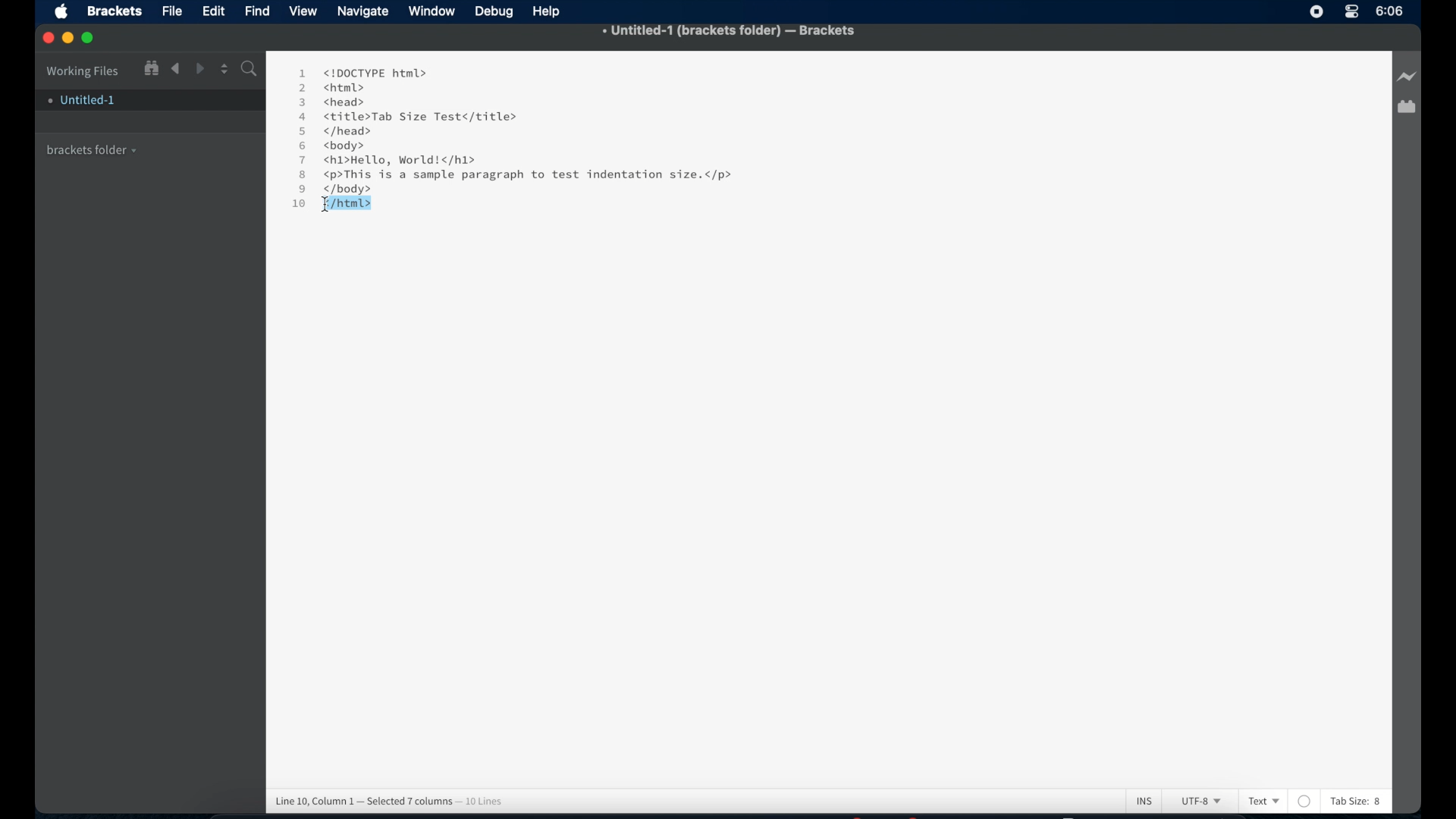 The height and width of the screenshot is (819, 1456). Describe the element at coordinates (1379, 802) in the screenshot. I see `8` at that location.